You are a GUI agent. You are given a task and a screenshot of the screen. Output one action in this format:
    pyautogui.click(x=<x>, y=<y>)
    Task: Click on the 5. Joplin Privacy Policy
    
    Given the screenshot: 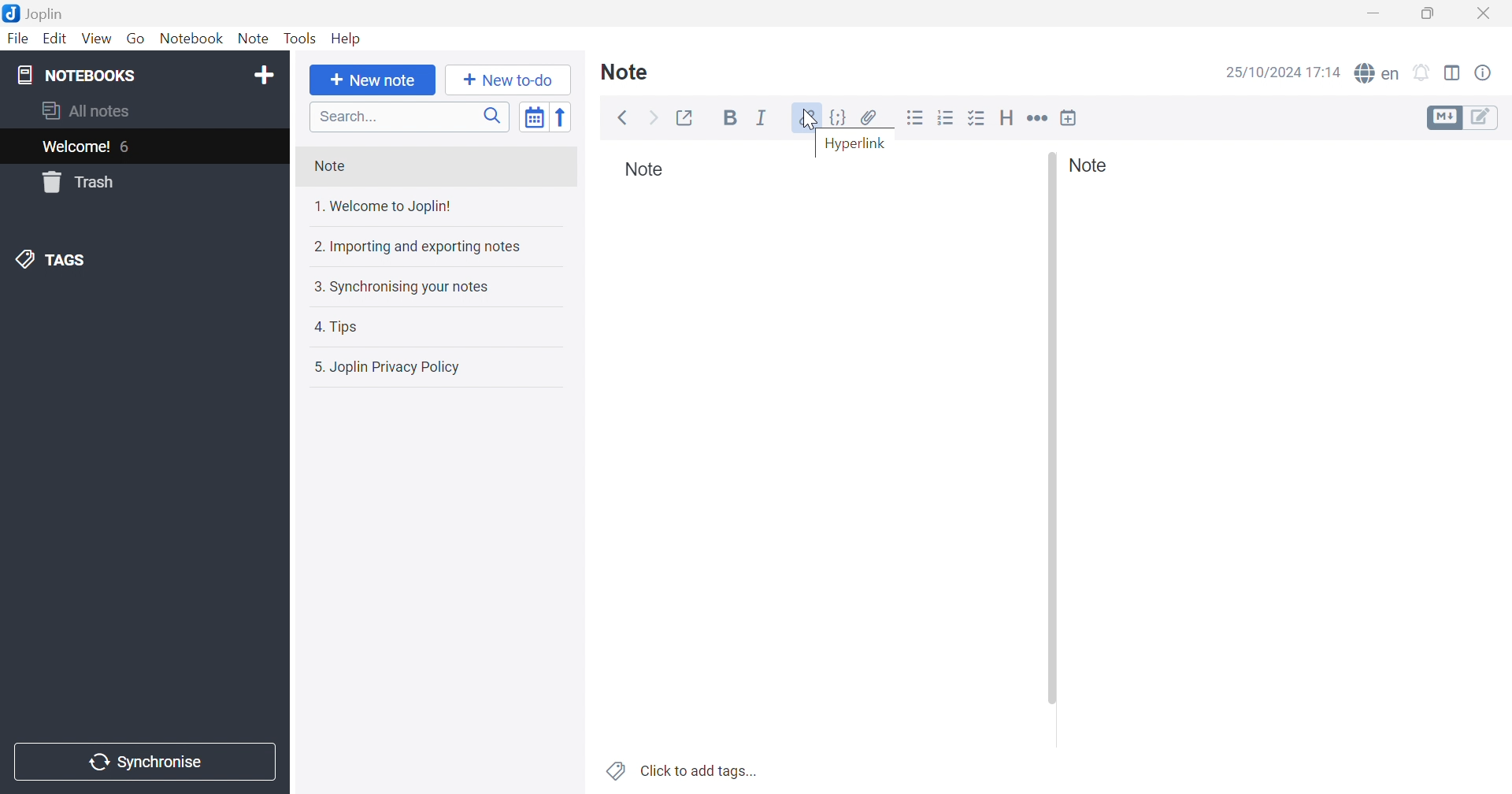 What is the action you would take?
    pyautogui.click(x=432, y=368)
    